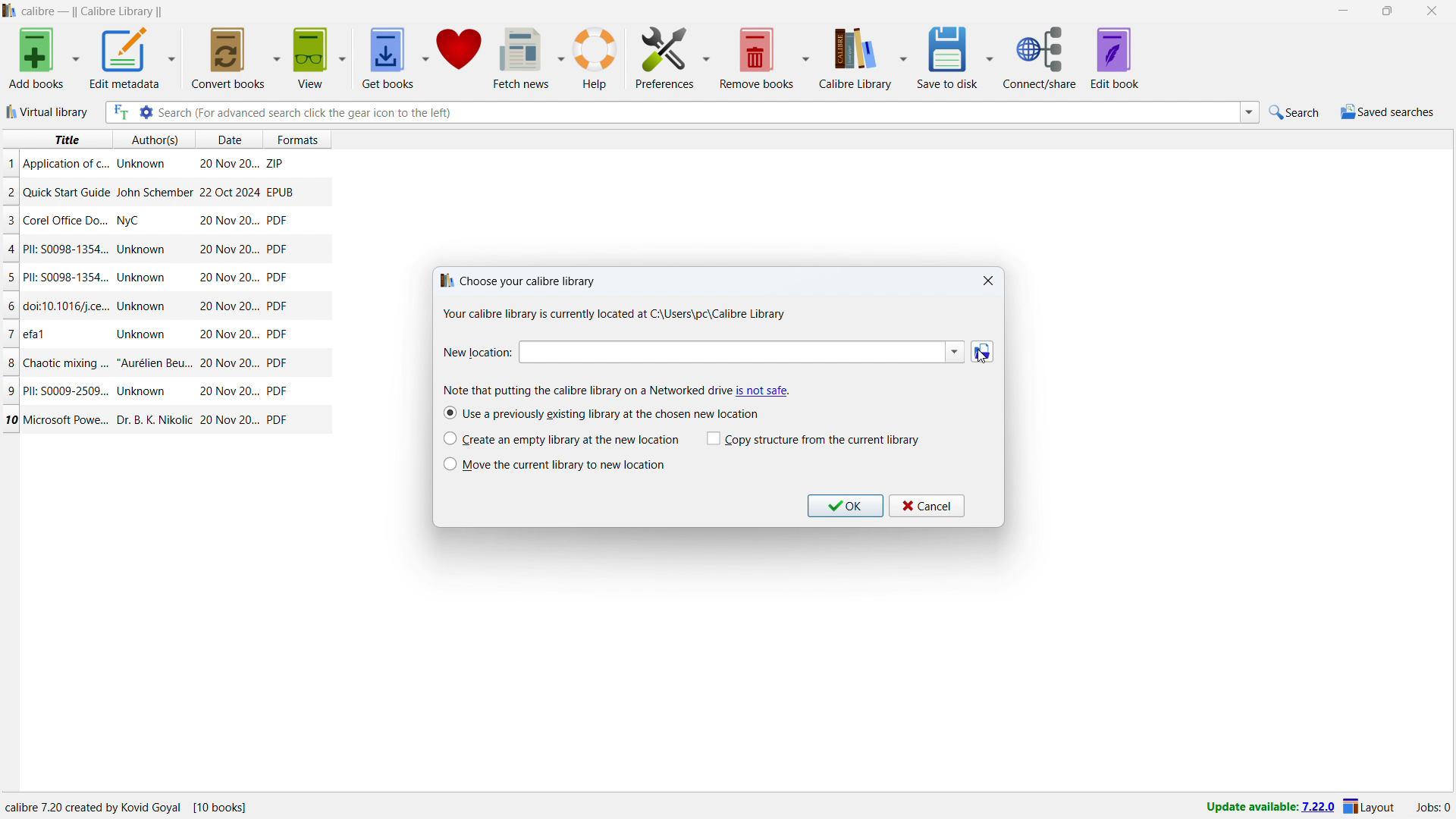 This screenshot has width=1456, height=819. I want to click on minimize, so click(1341, 11).